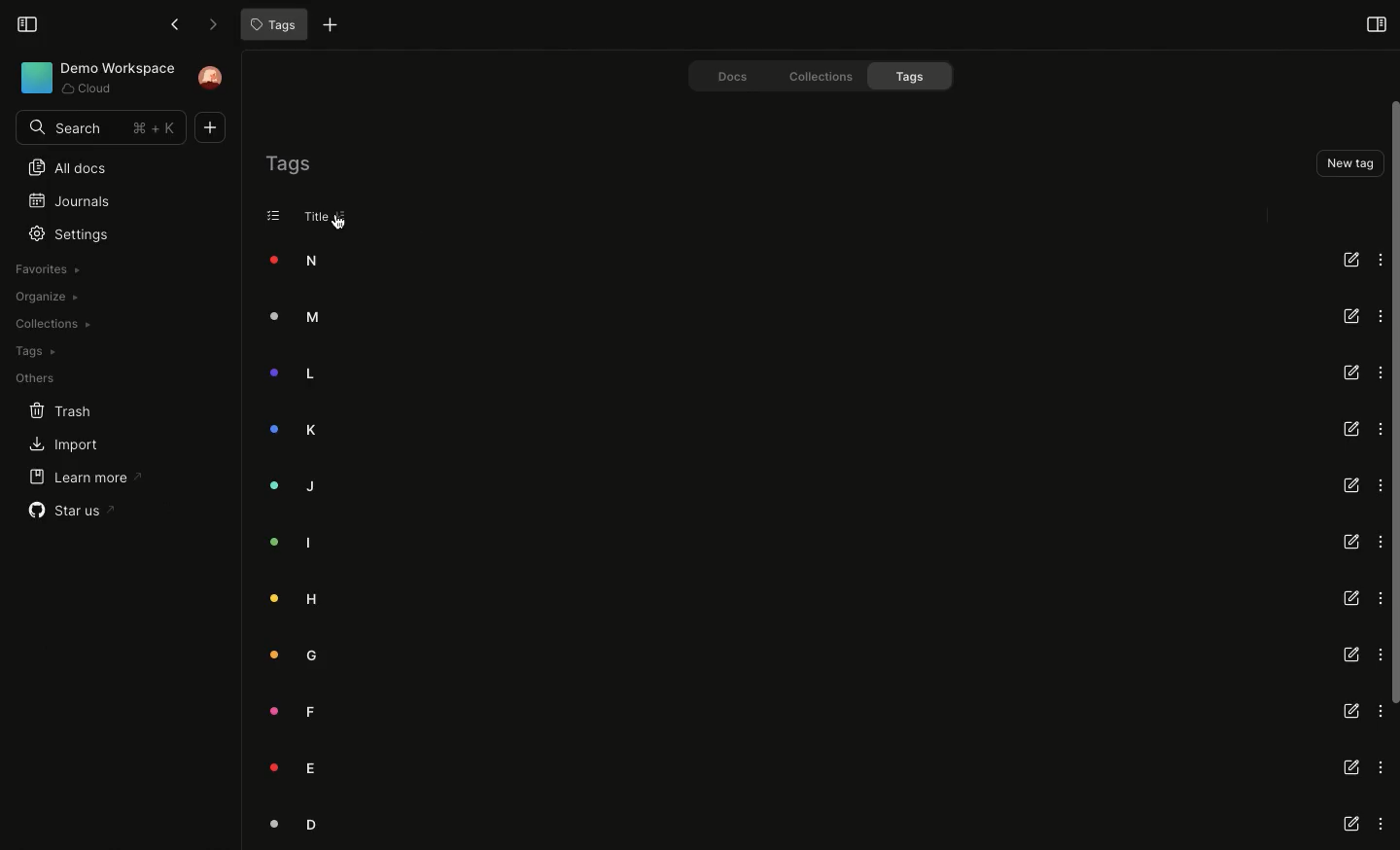 Image resolution: width=1400 pixels, height=850 pixels. What do you see at coordinates (1347, 162) in the screenshot?
I see `New tag` at bounding box center [1347, 162].